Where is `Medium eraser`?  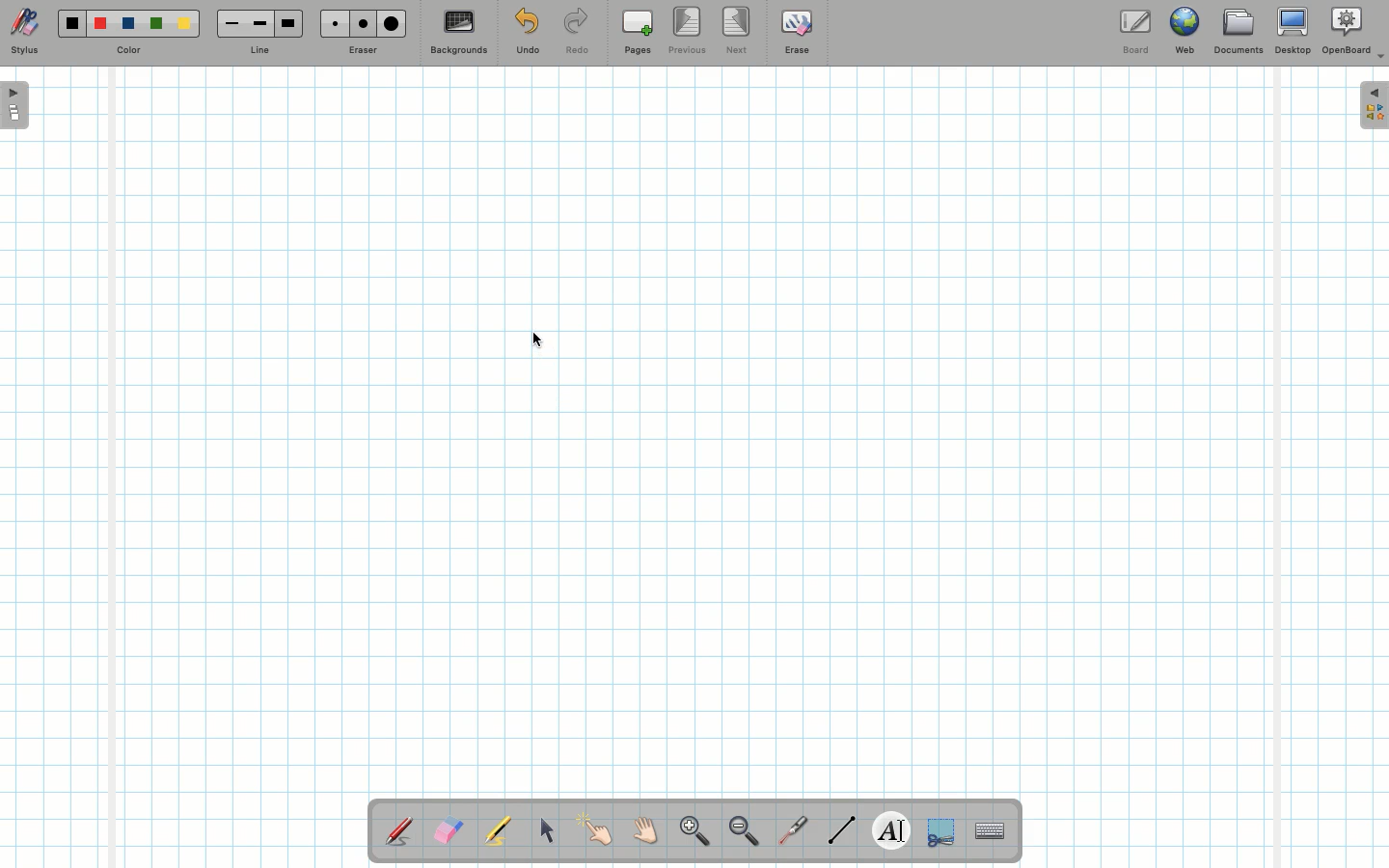
Medium eraser is located at coordinates (360, 23).